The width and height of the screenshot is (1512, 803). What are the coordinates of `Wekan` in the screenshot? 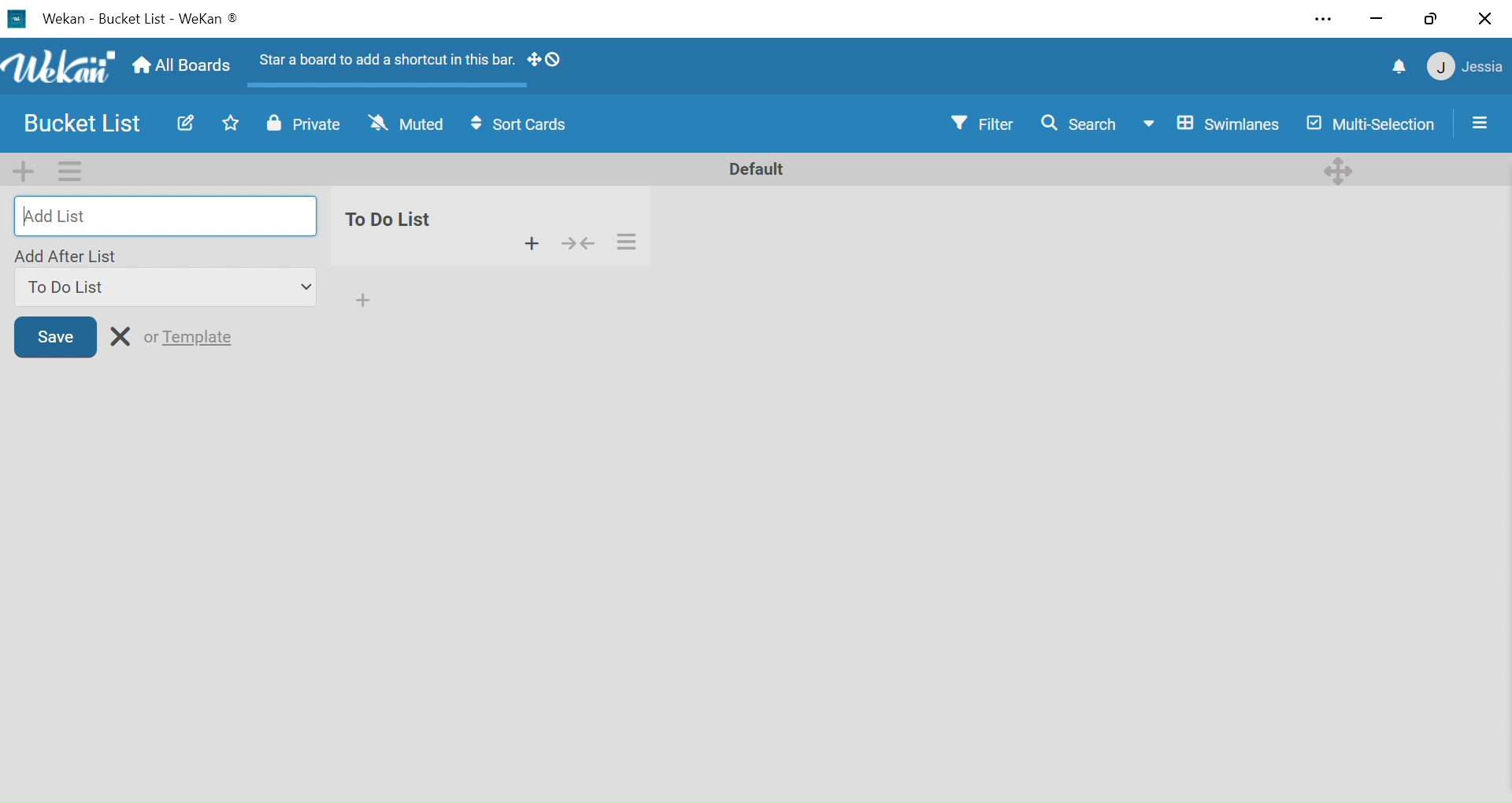 It's located at (209, 20).